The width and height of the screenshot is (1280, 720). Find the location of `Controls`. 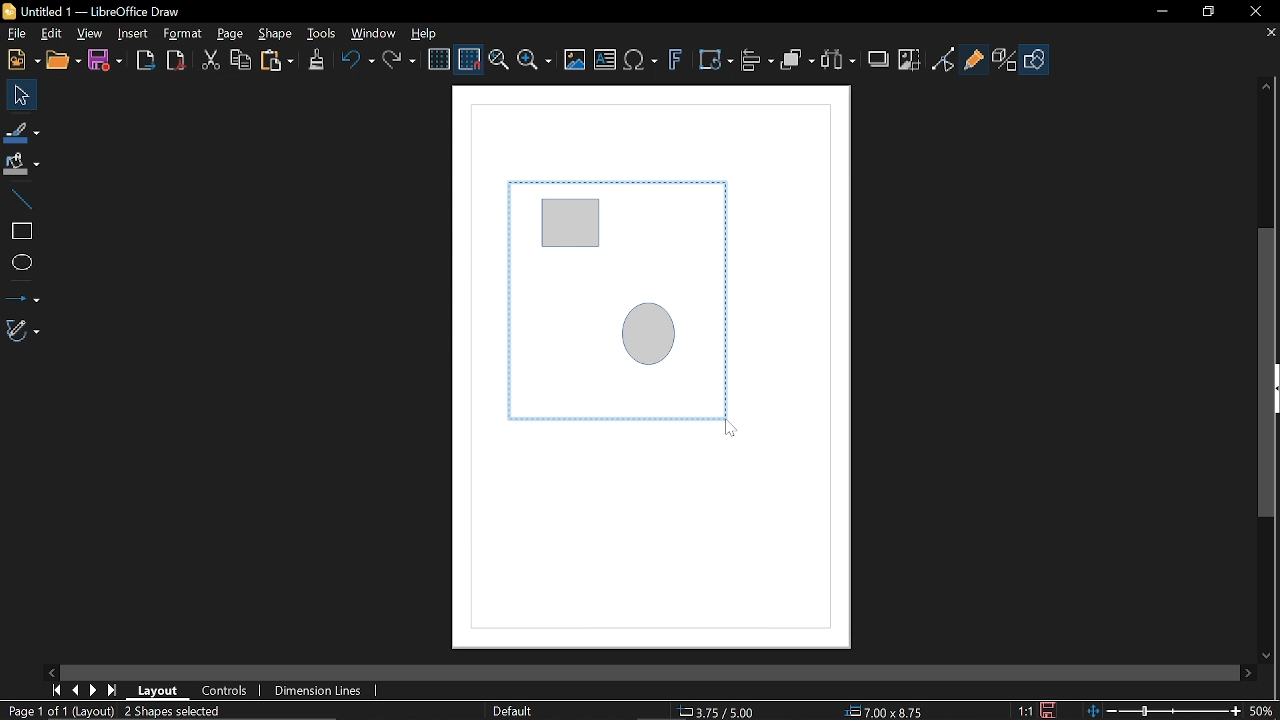

Controls is located at coordinates (222, 691).